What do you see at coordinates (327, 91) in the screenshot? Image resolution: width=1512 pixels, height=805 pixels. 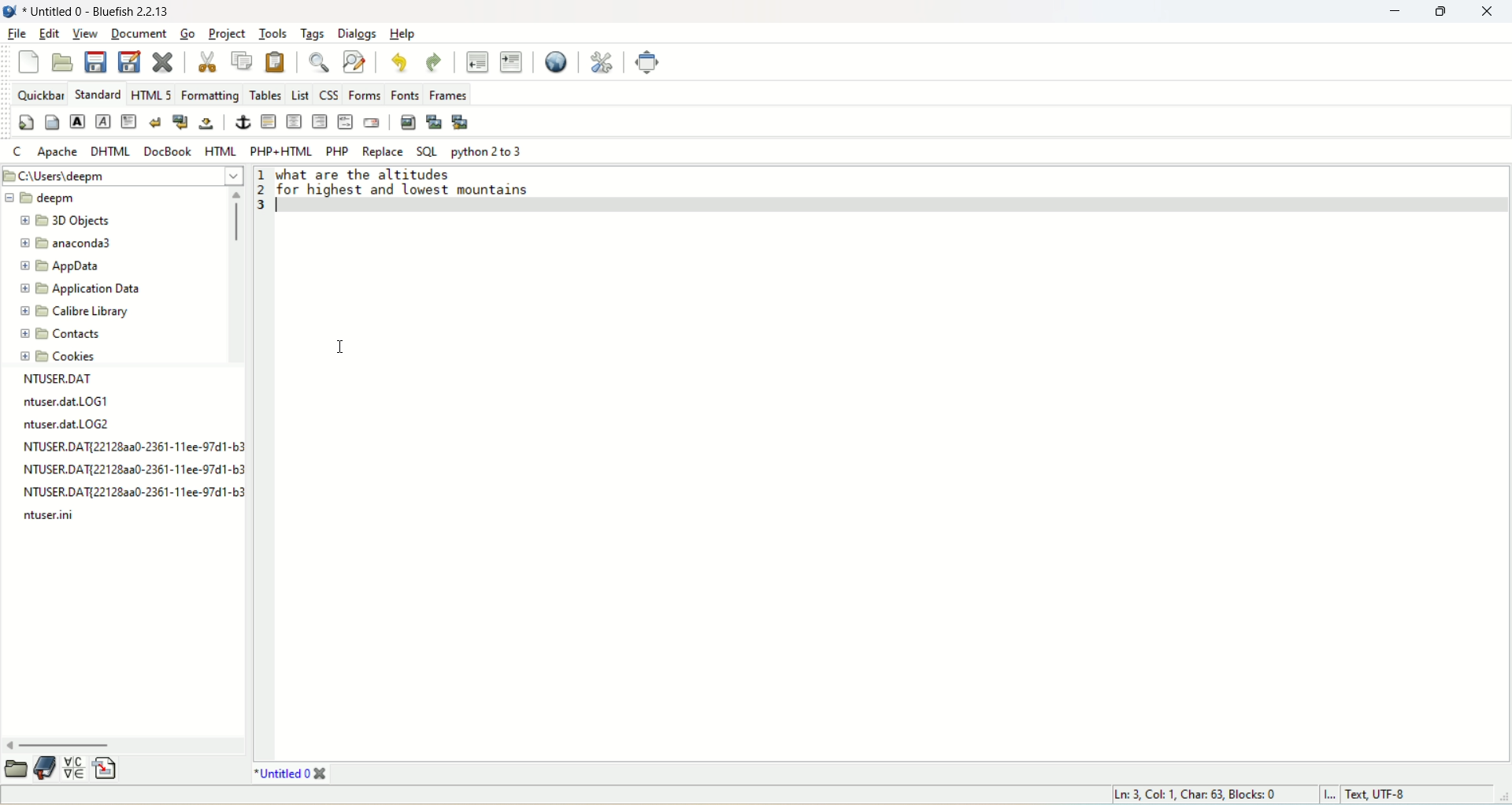 I see `CSS` at bounding box center [327, 91].